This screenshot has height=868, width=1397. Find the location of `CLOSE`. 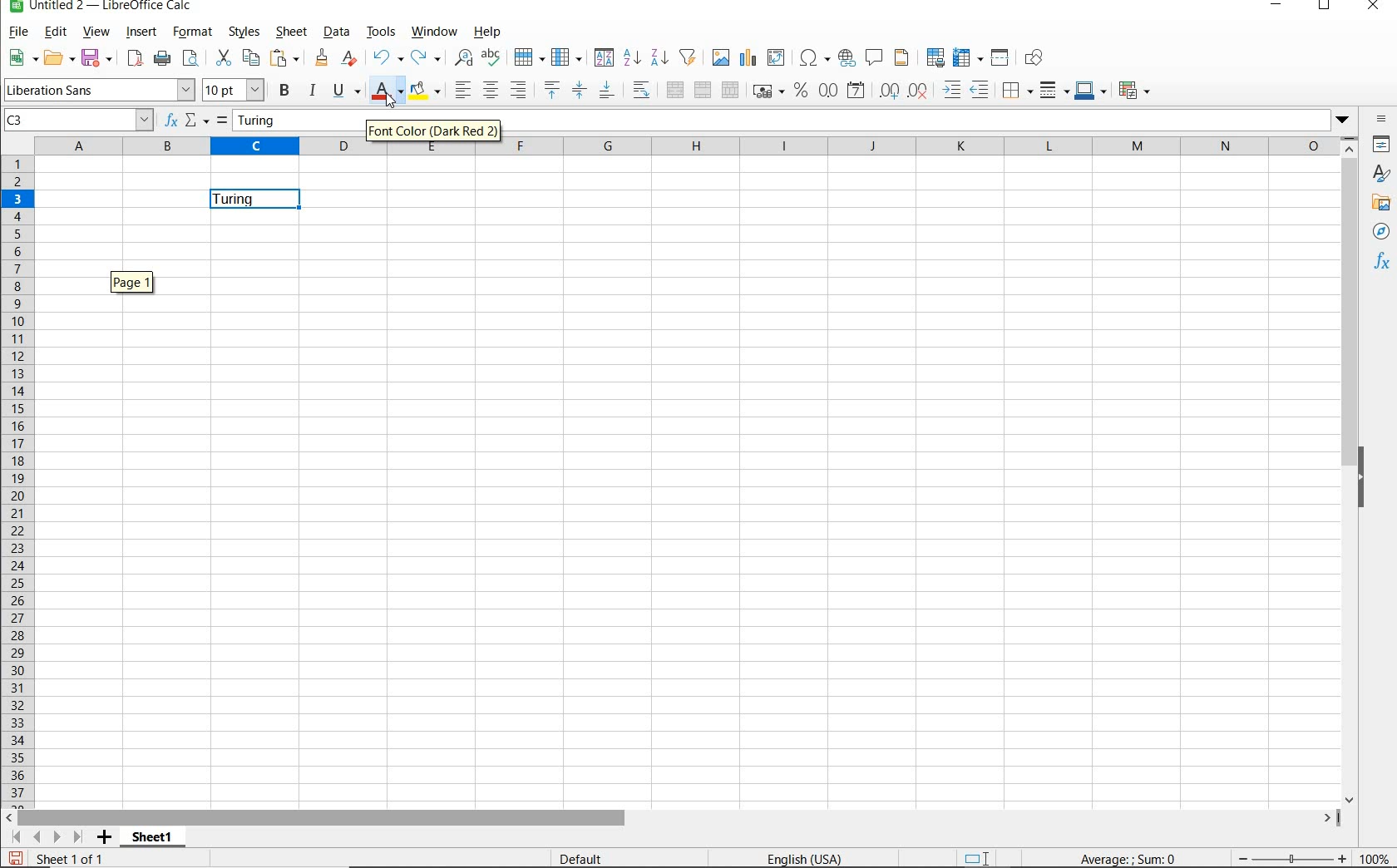

CLOSE is located at coordinates (1374, 8).